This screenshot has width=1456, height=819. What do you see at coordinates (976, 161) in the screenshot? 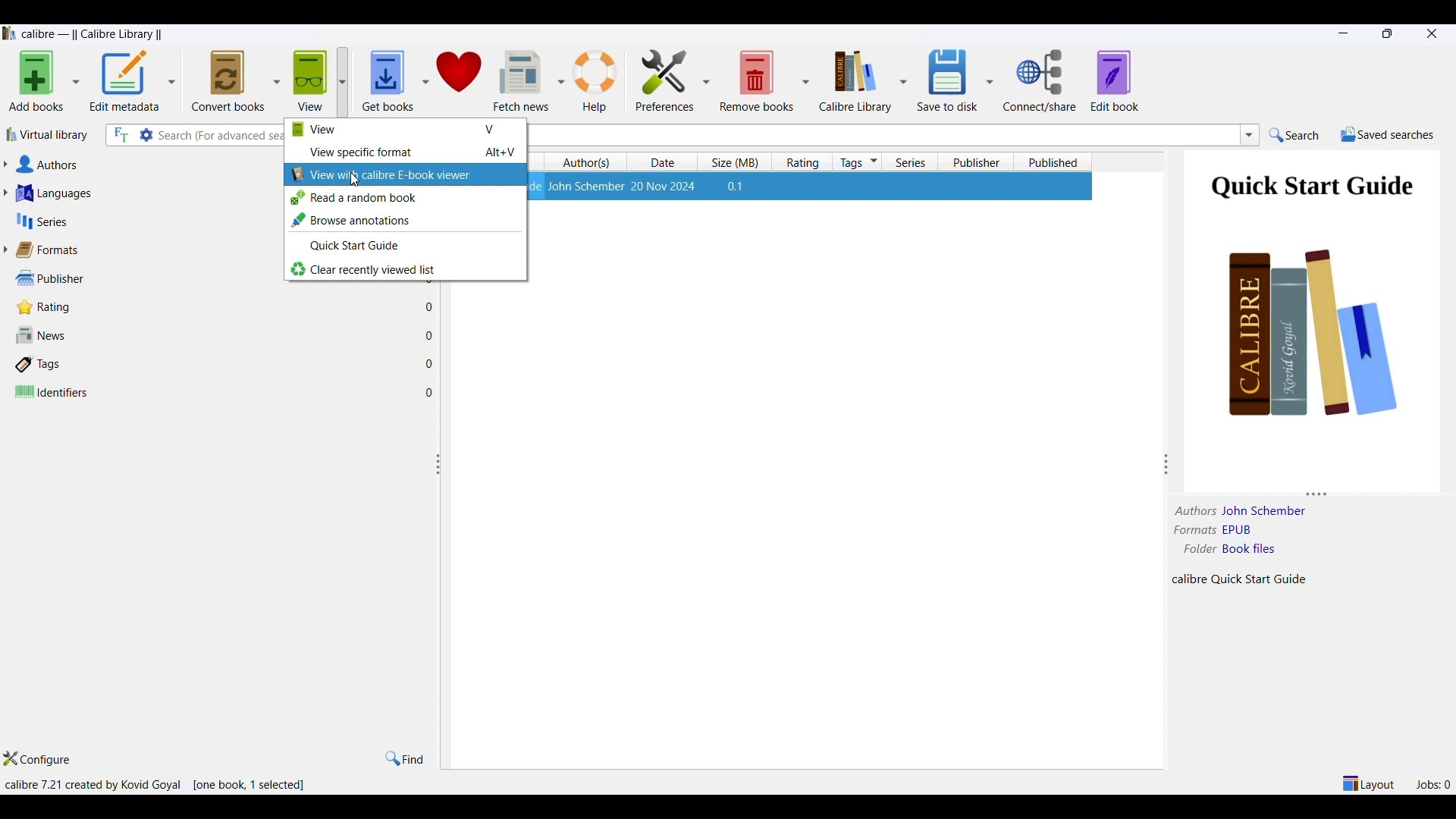
I see `publisher` at bounding box center [976, 161].